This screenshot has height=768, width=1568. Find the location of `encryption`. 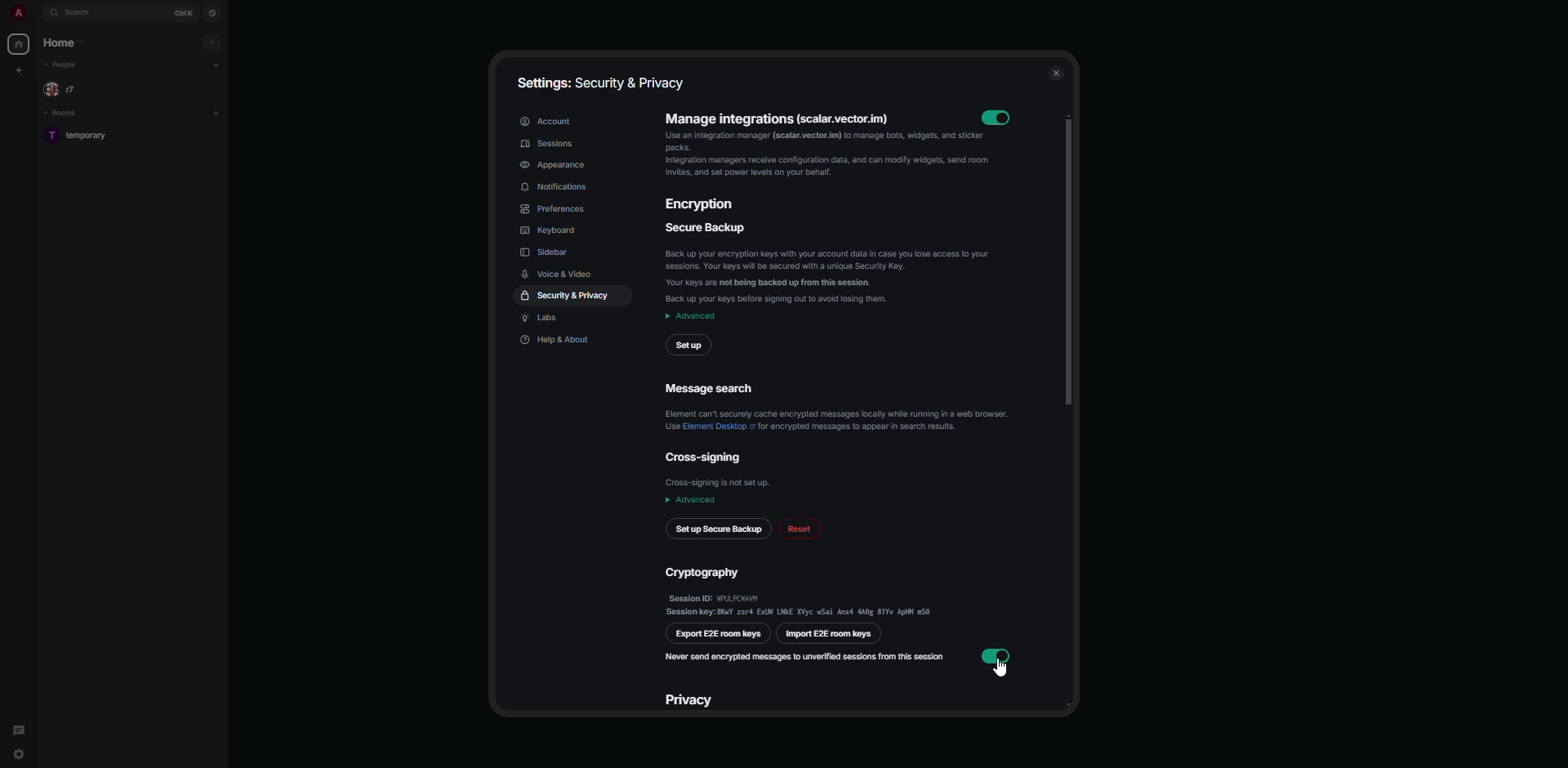

encryption is located at coordinates (701, 204).